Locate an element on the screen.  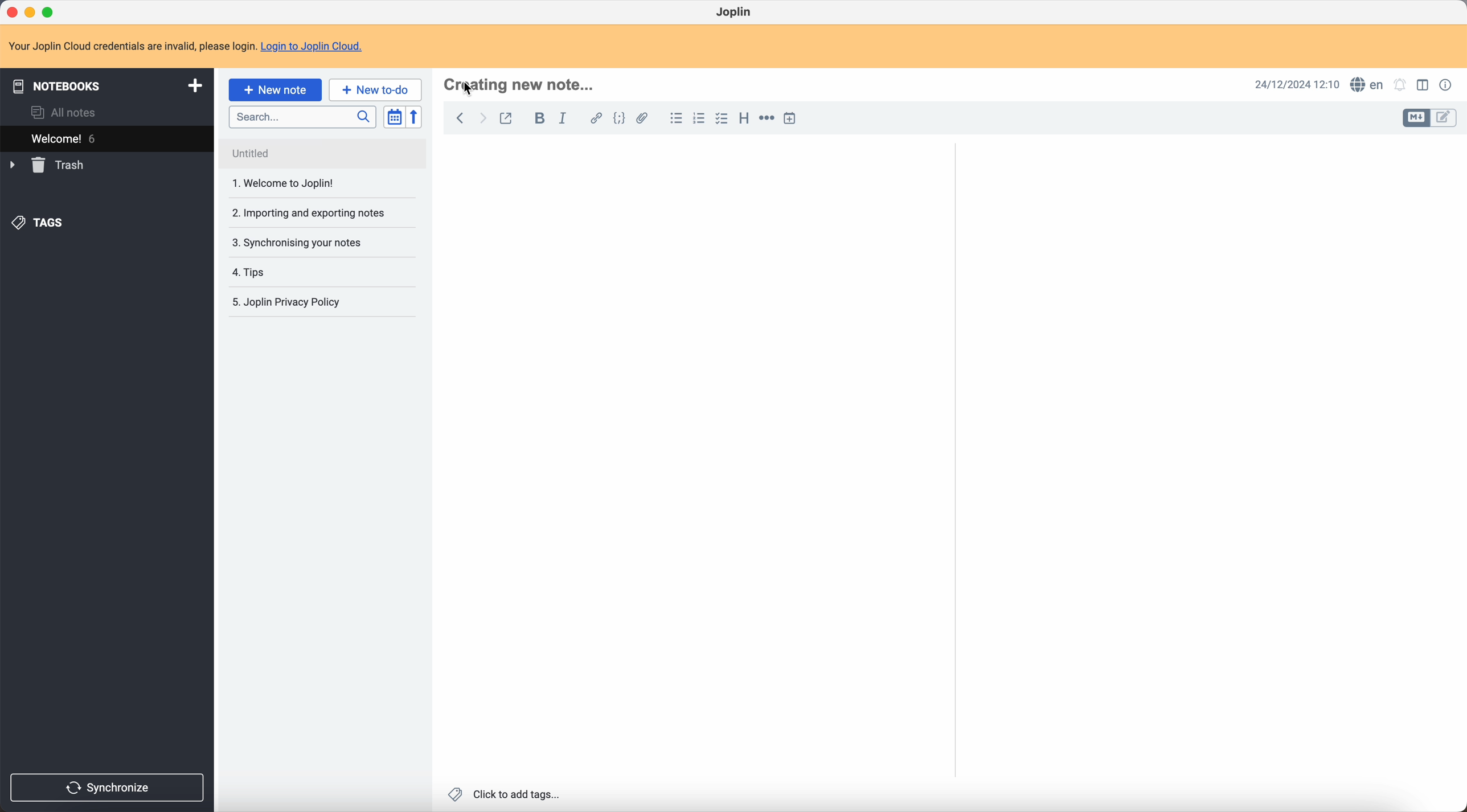
bold is located at coordinates (536, 118).